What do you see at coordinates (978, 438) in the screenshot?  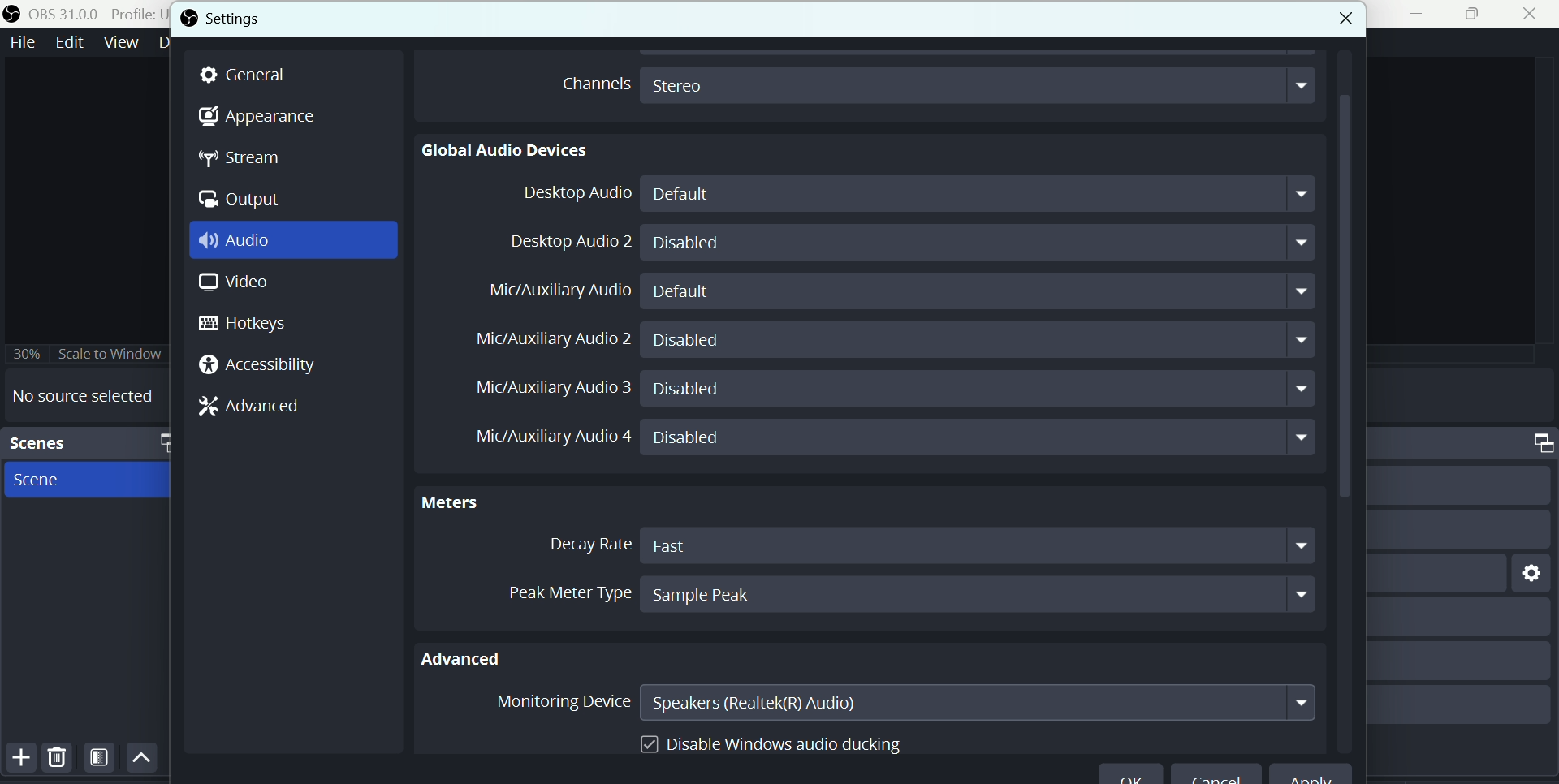 I see `Disabled` at bounding box center [978, 438].